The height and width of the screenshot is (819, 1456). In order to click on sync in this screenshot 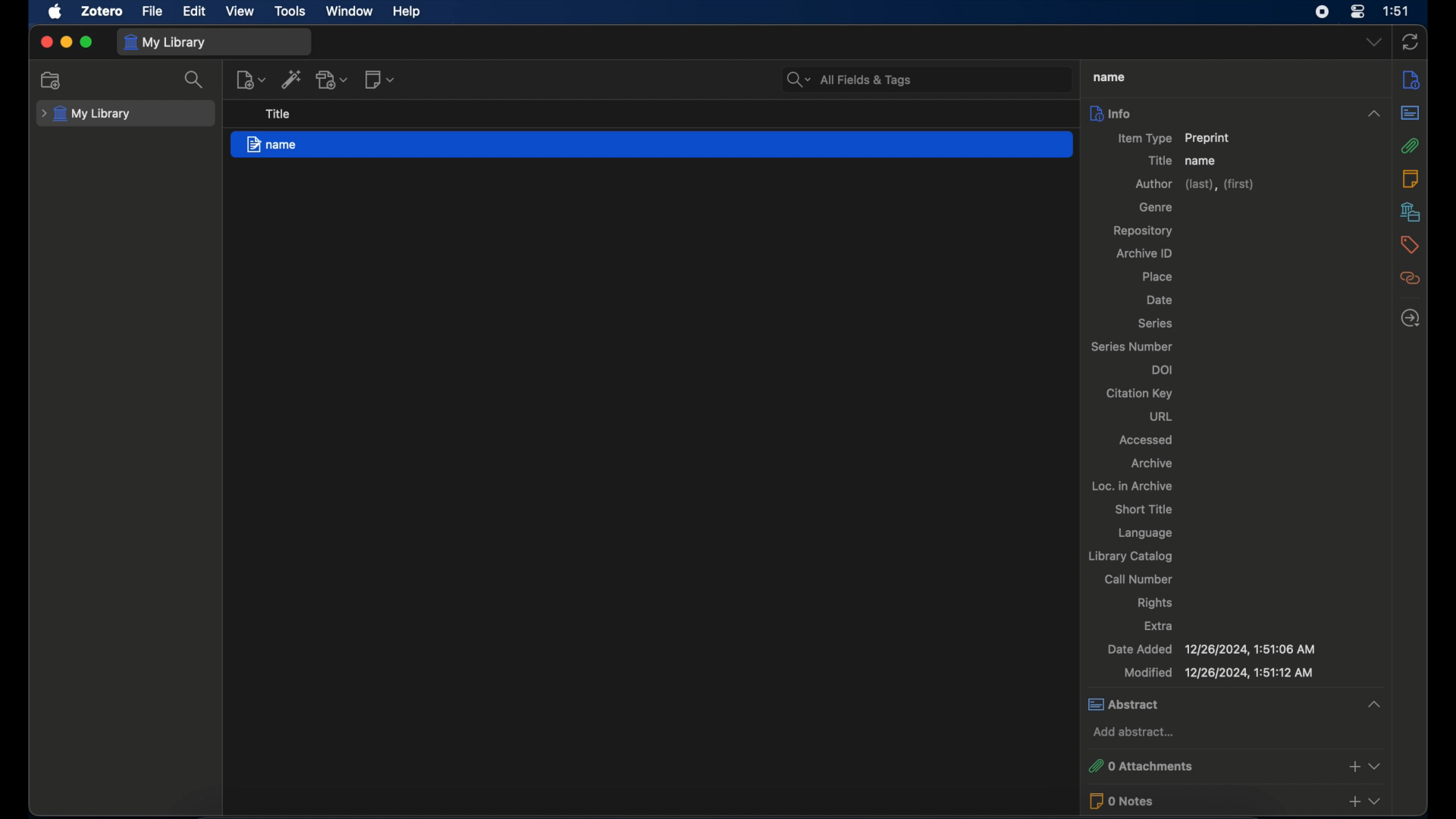, I will do `click(1409, 42)`.